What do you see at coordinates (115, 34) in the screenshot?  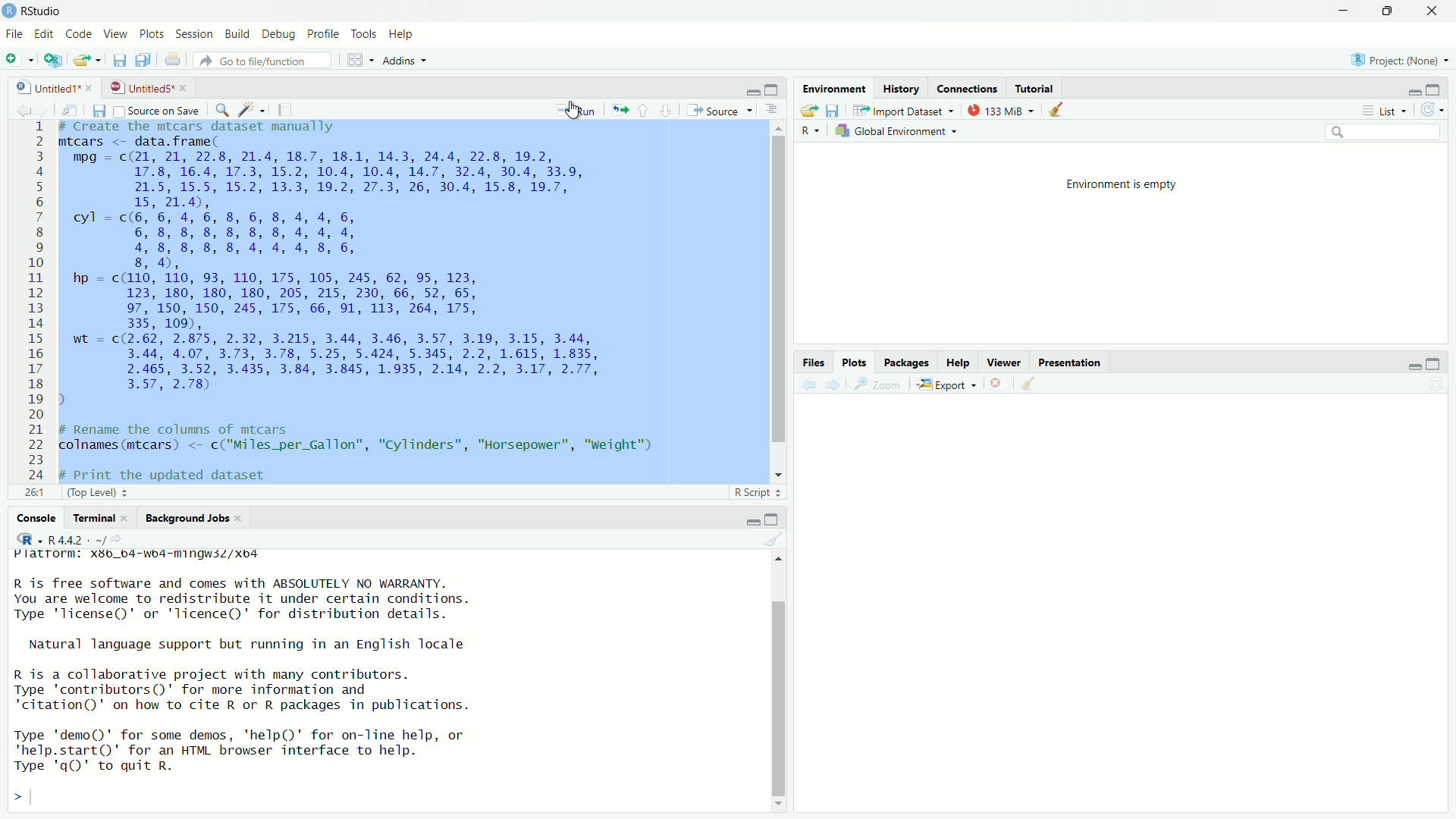 I see `View` at bounding box center [115, 34].